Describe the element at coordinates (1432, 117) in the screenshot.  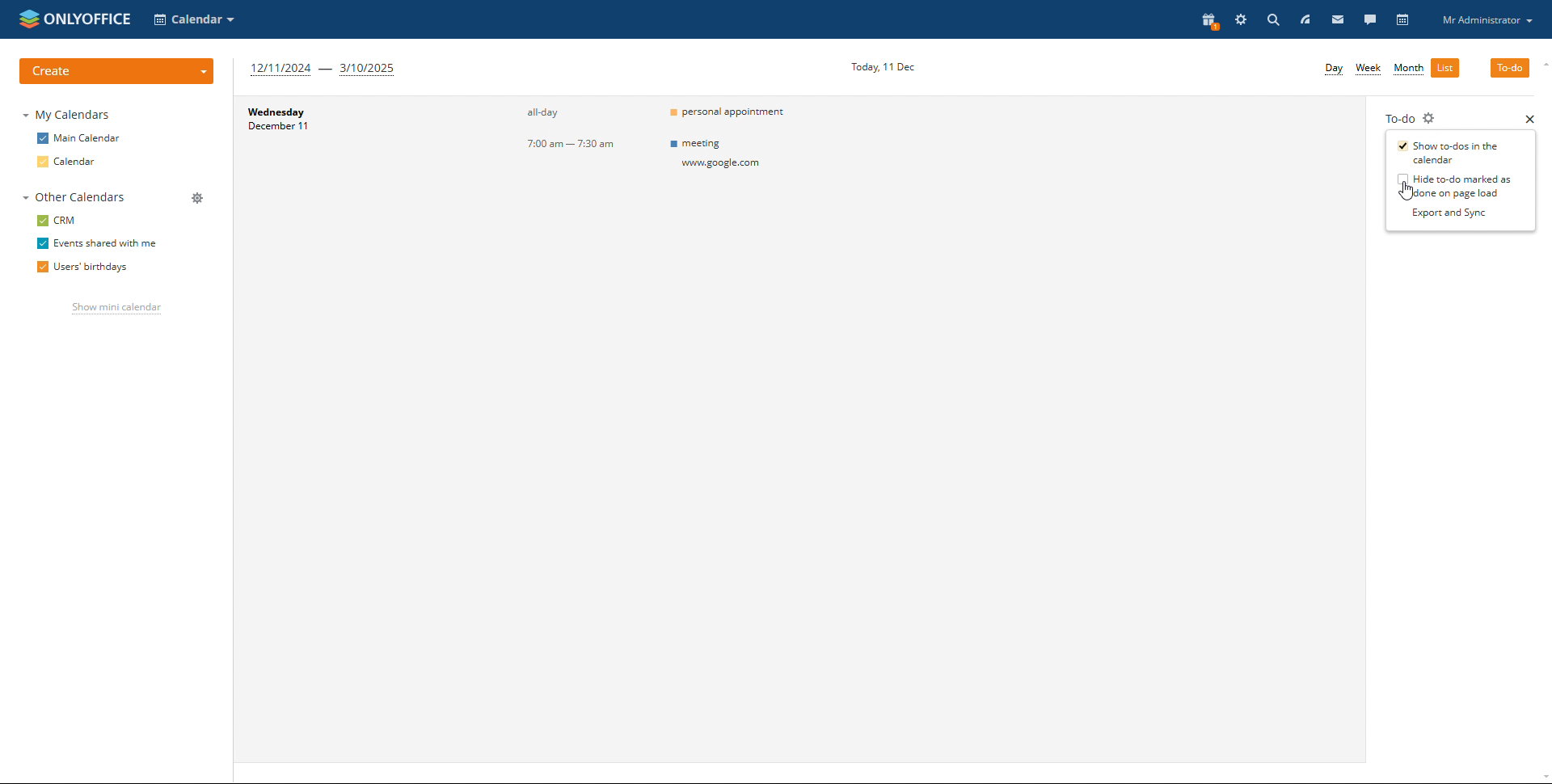
I see `to-do settings` at that location.